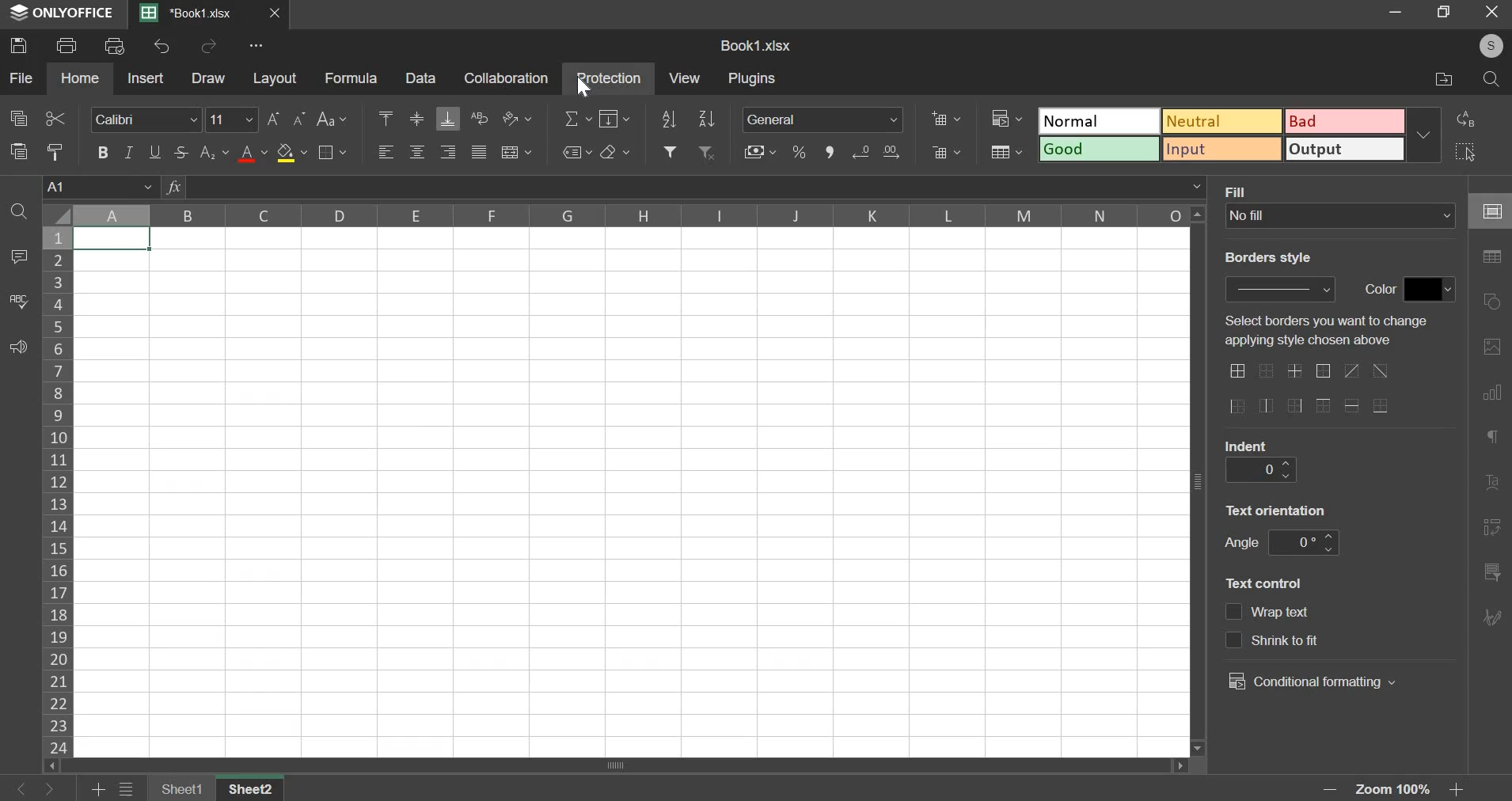 Image resolution: width=1512 pixels, height=801 pixels. I want to click on Cancel, so click(1497, 14).